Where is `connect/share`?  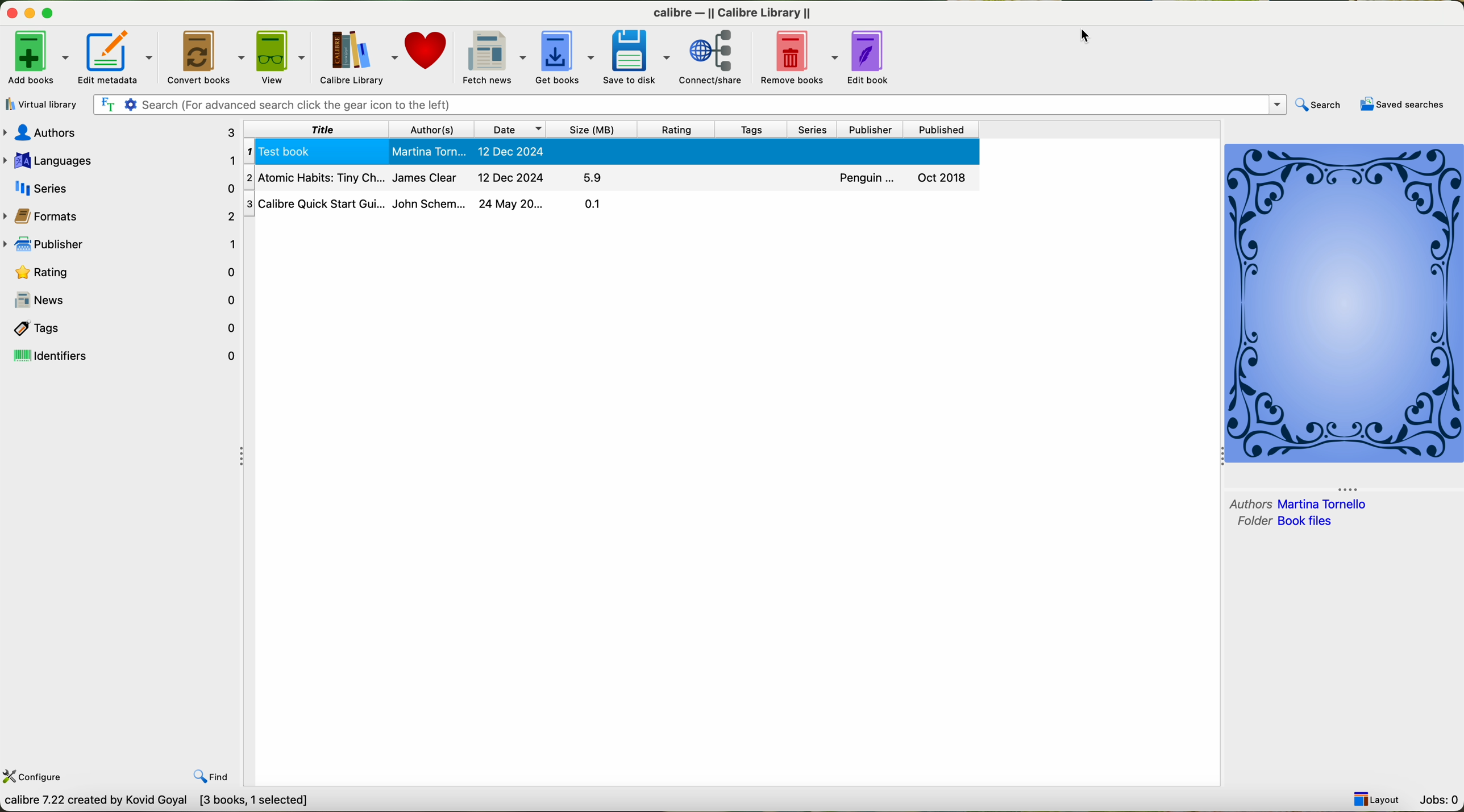
connect/share is located at coordinates (714, 58).